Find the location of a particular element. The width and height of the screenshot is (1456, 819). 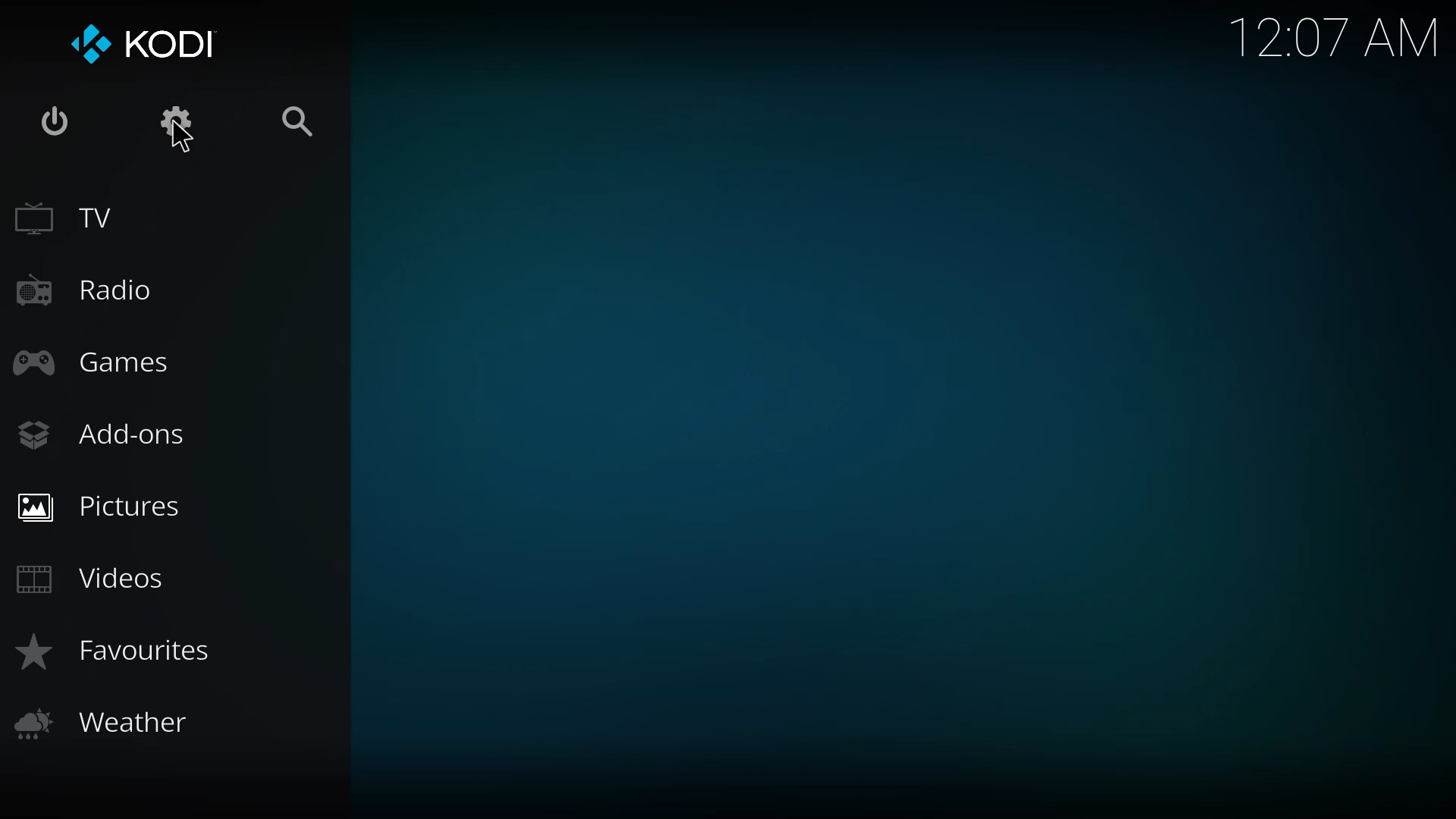

add-ons is located at coordinates (109, 437).